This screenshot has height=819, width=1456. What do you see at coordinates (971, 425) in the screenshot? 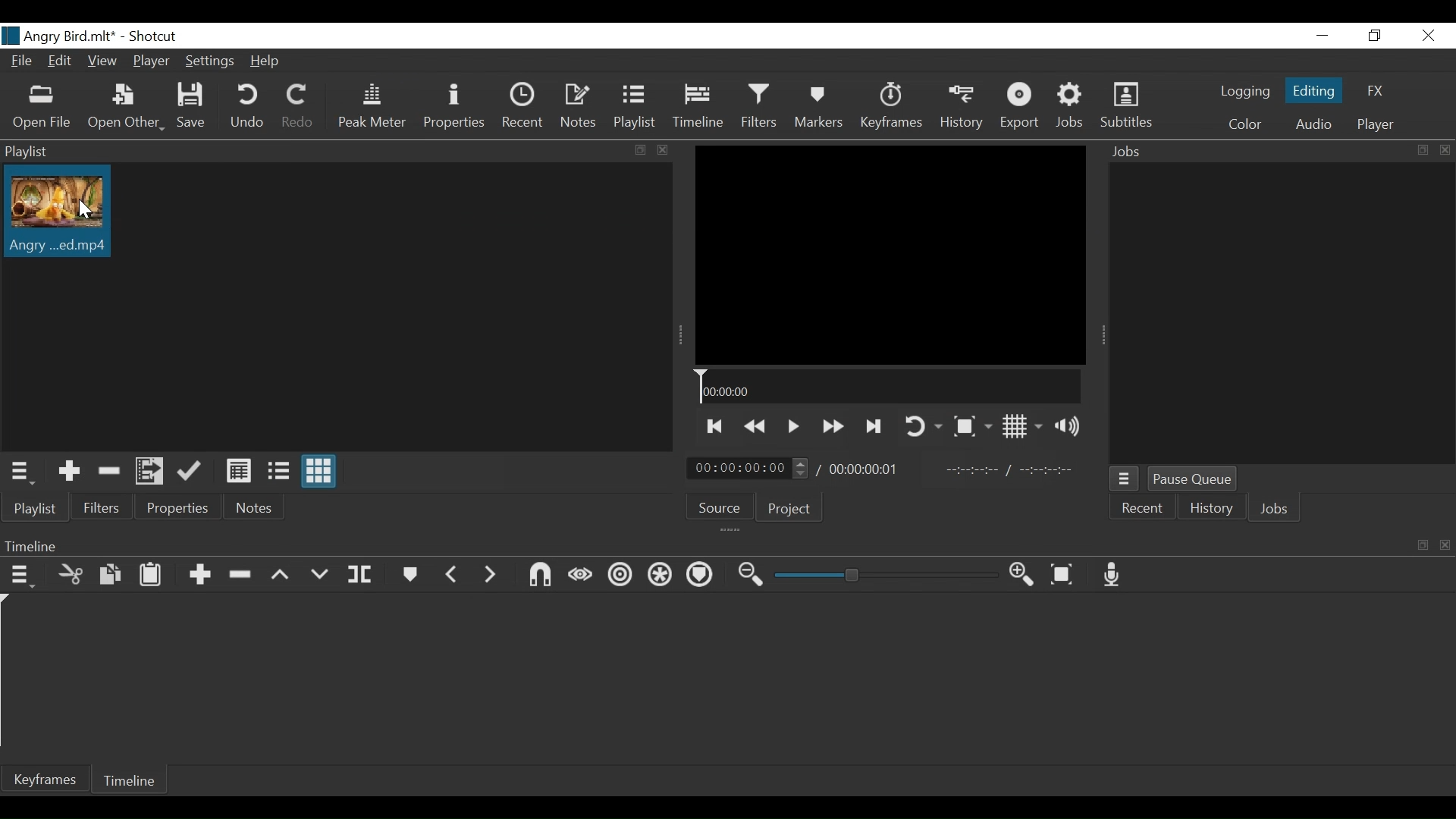
I see `Toggle Zoom` at bounding box center [971, 425].